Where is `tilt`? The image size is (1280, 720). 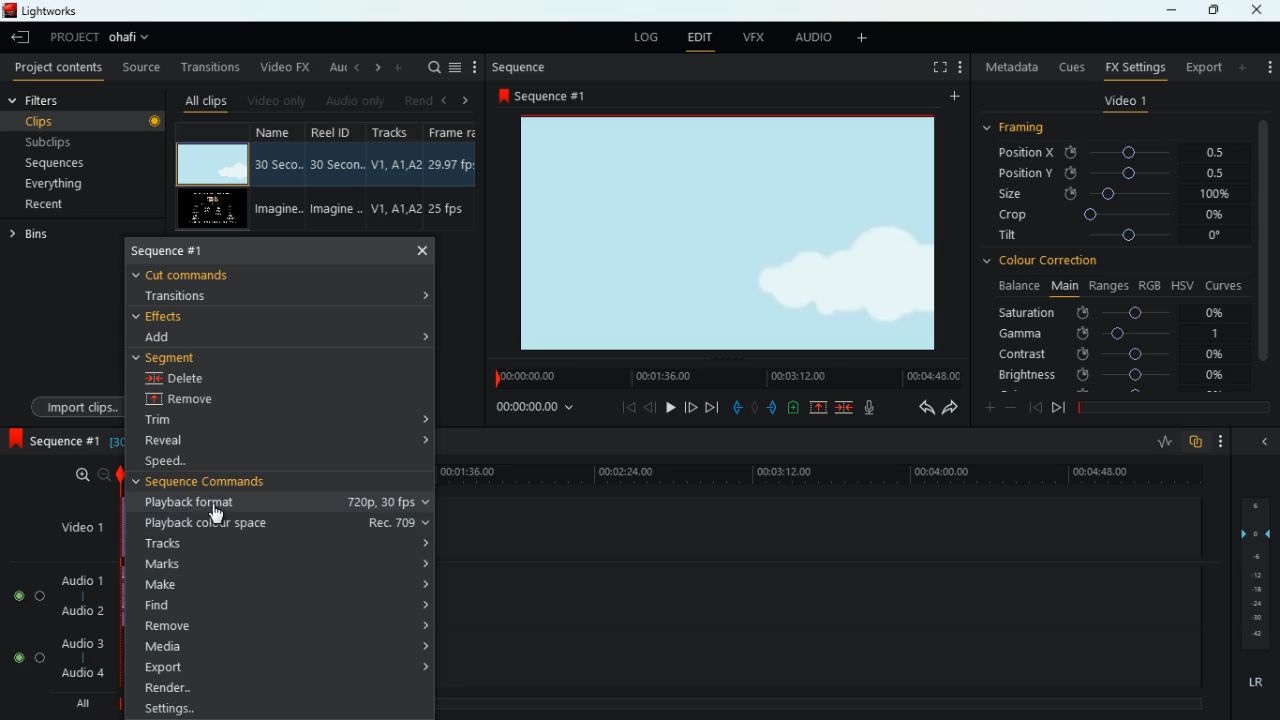
tilt is located at coordinates (1115, 237).